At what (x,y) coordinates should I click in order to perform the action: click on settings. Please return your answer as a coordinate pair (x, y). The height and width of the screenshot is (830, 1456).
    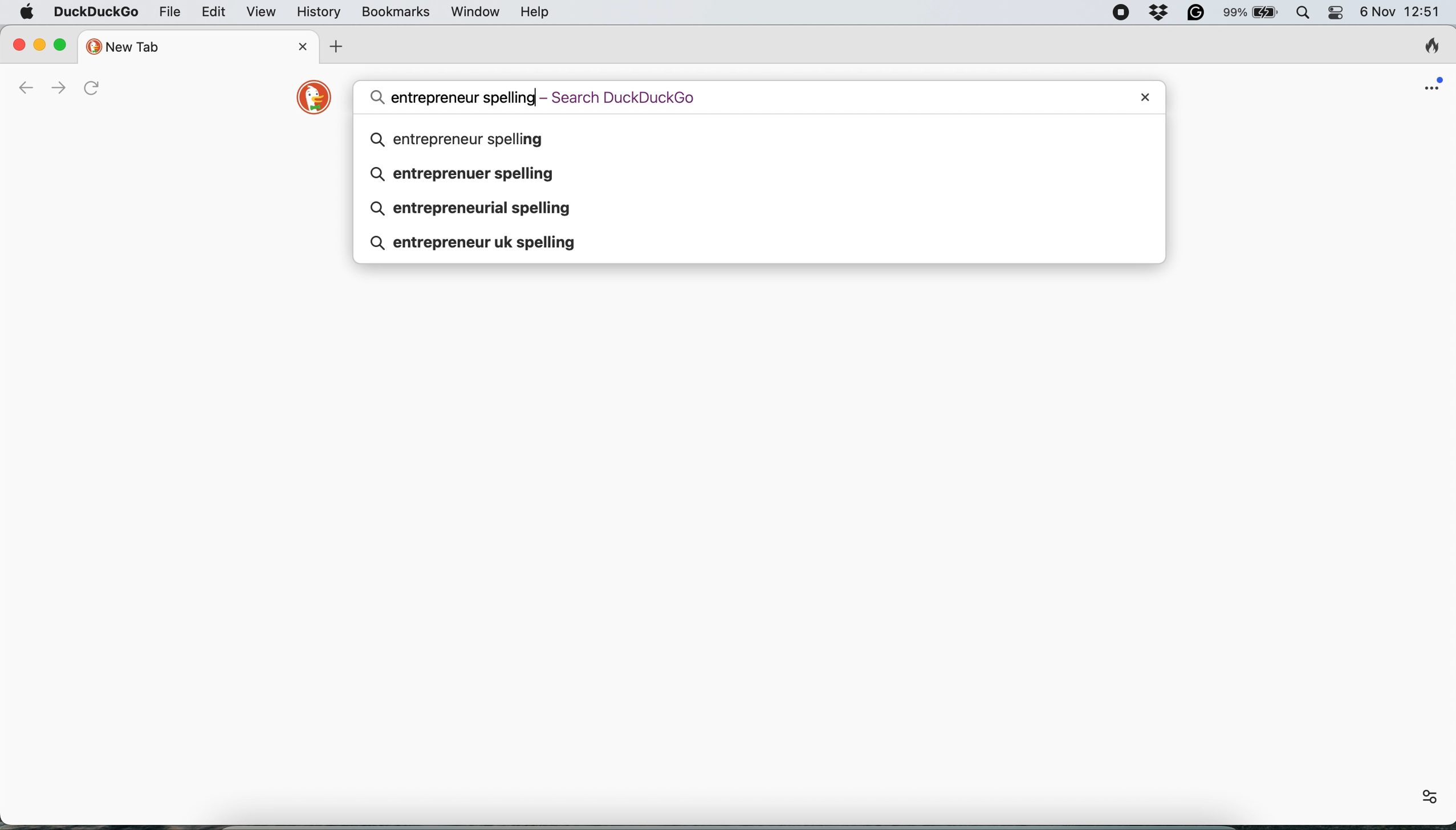
    Looking at the image, I should click on (1433, 796).